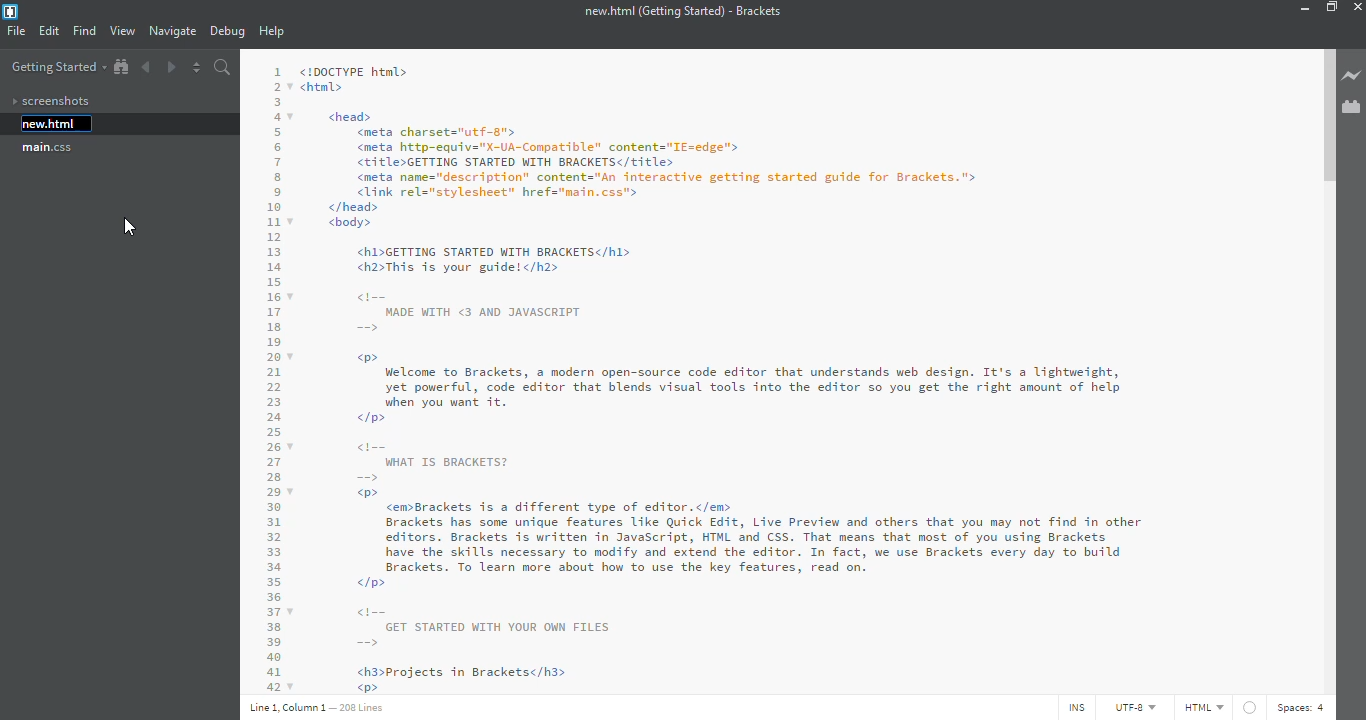  I want to click on cursor, so click(135, 230).